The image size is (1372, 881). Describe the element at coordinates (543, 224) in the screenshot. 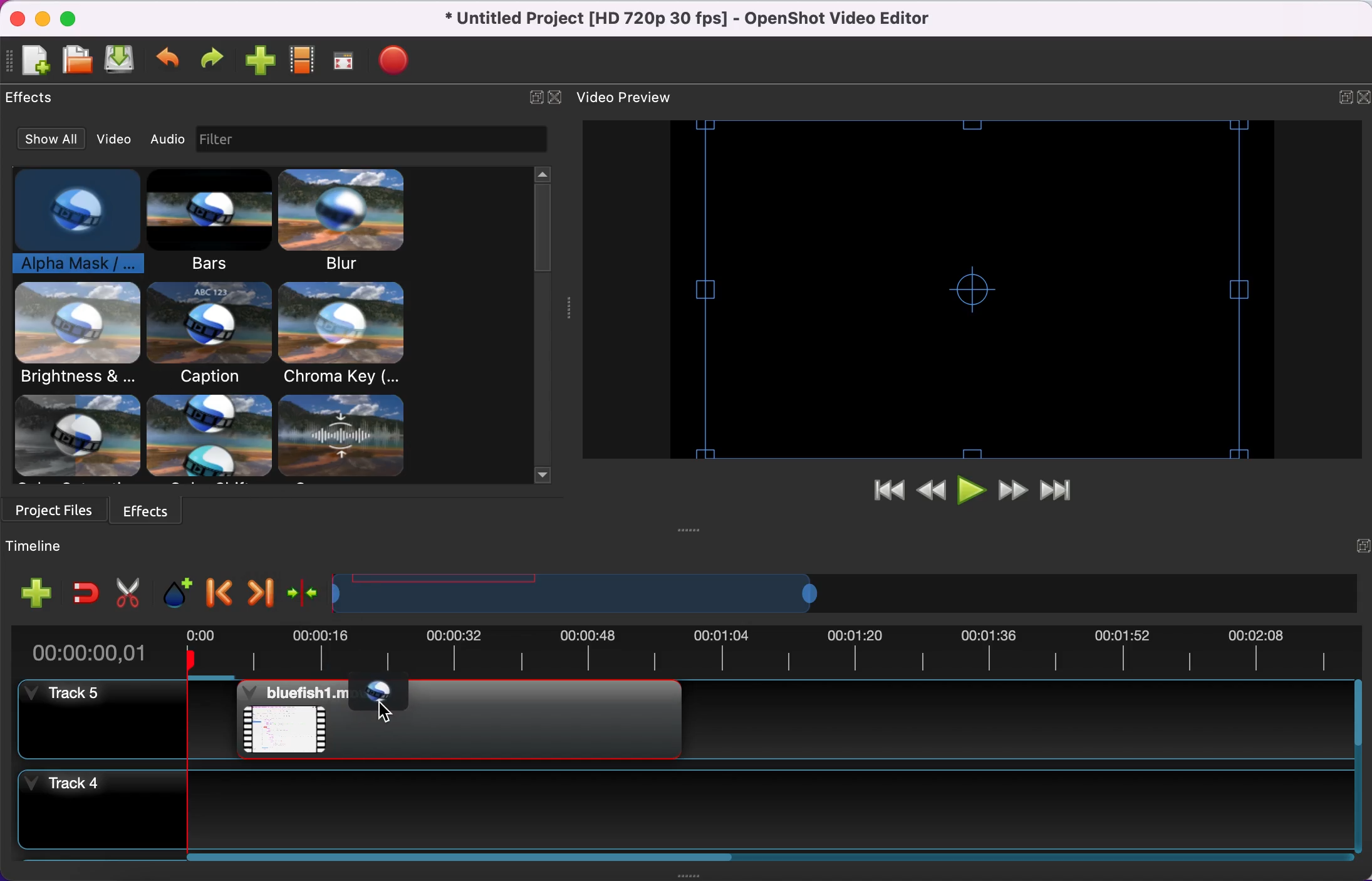

I see `vertical slider` at that location.